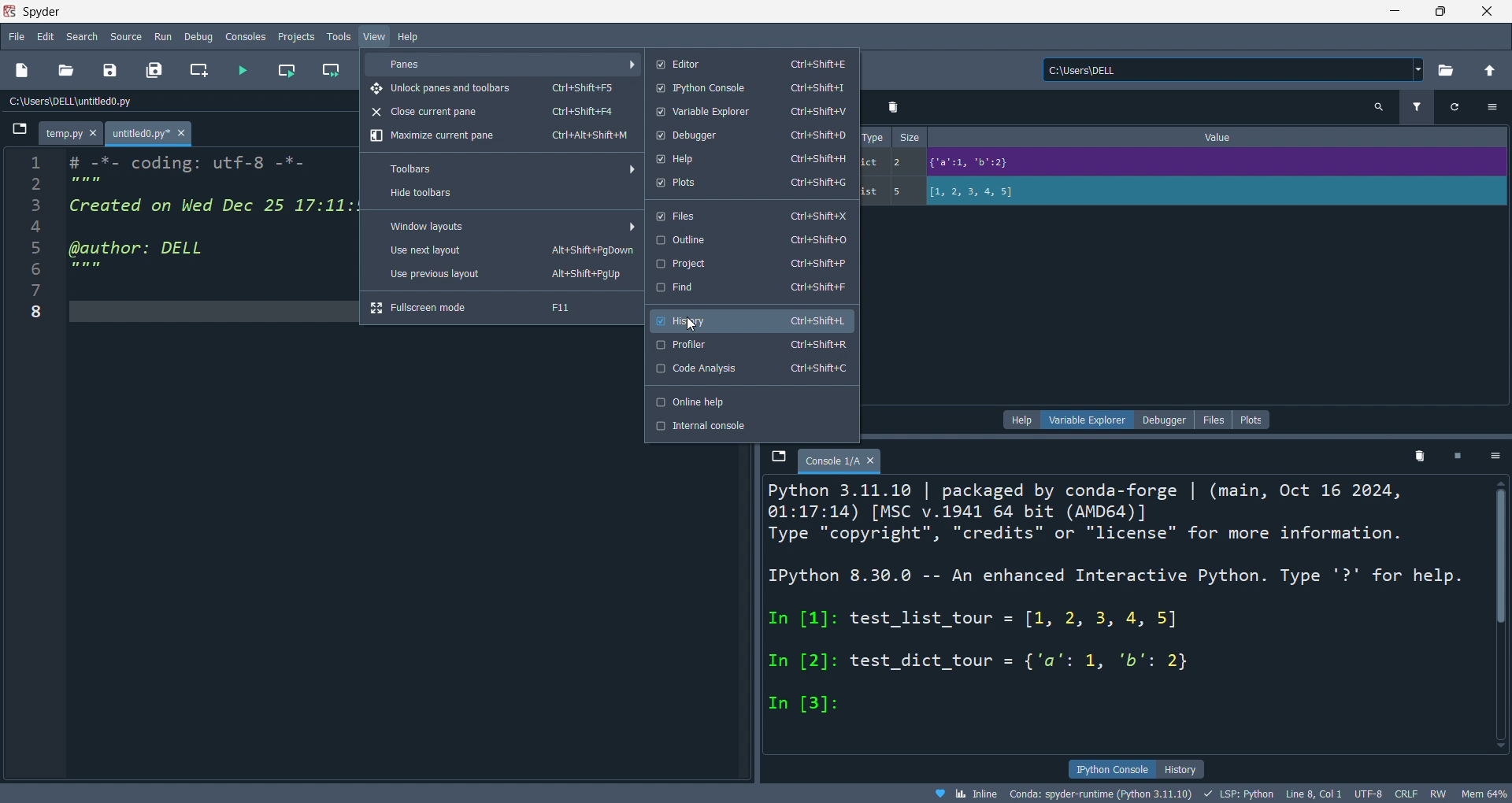  I want to click on untitled, so click(151, 135).